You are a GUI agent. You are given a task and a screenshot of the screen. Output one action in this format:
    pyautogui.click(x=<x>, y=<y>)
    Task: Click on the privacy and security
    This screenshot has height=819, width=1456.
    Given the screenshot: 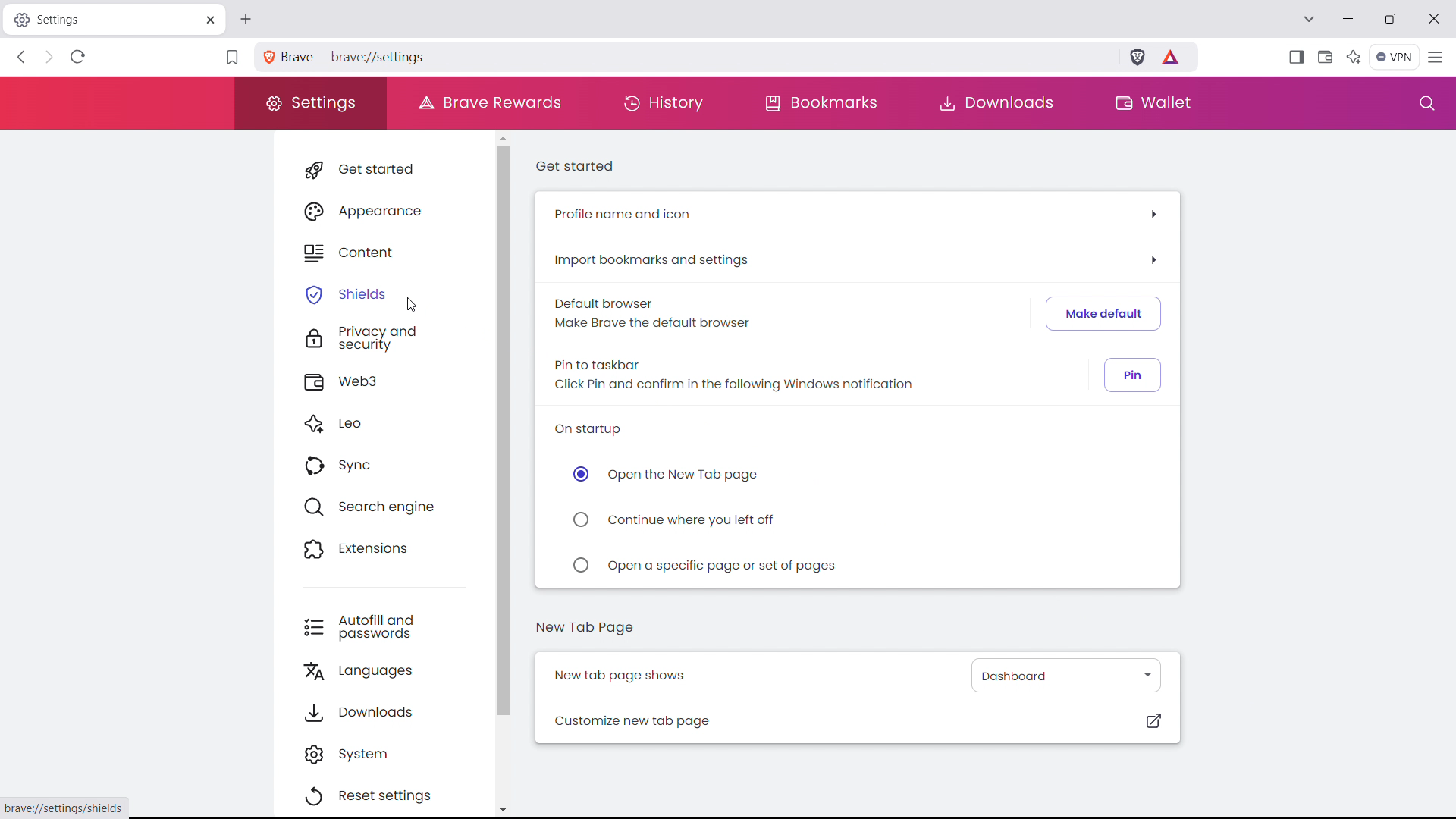 What is the action you would take?
    pyautogui.click(x=384, y=337)
    